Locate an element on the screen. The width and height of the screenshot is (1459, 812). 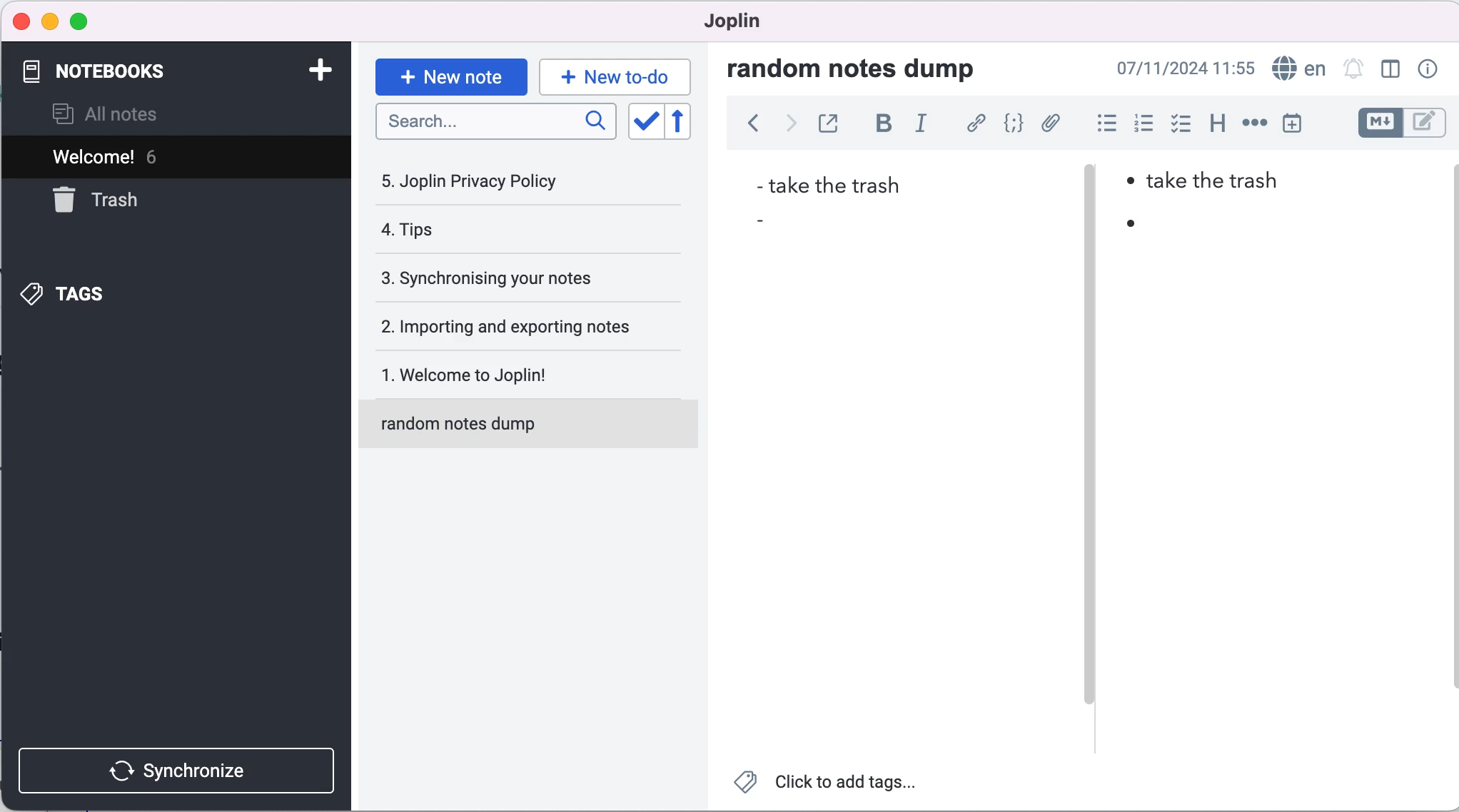
bulleted list is located at coordinates (1101, 123).